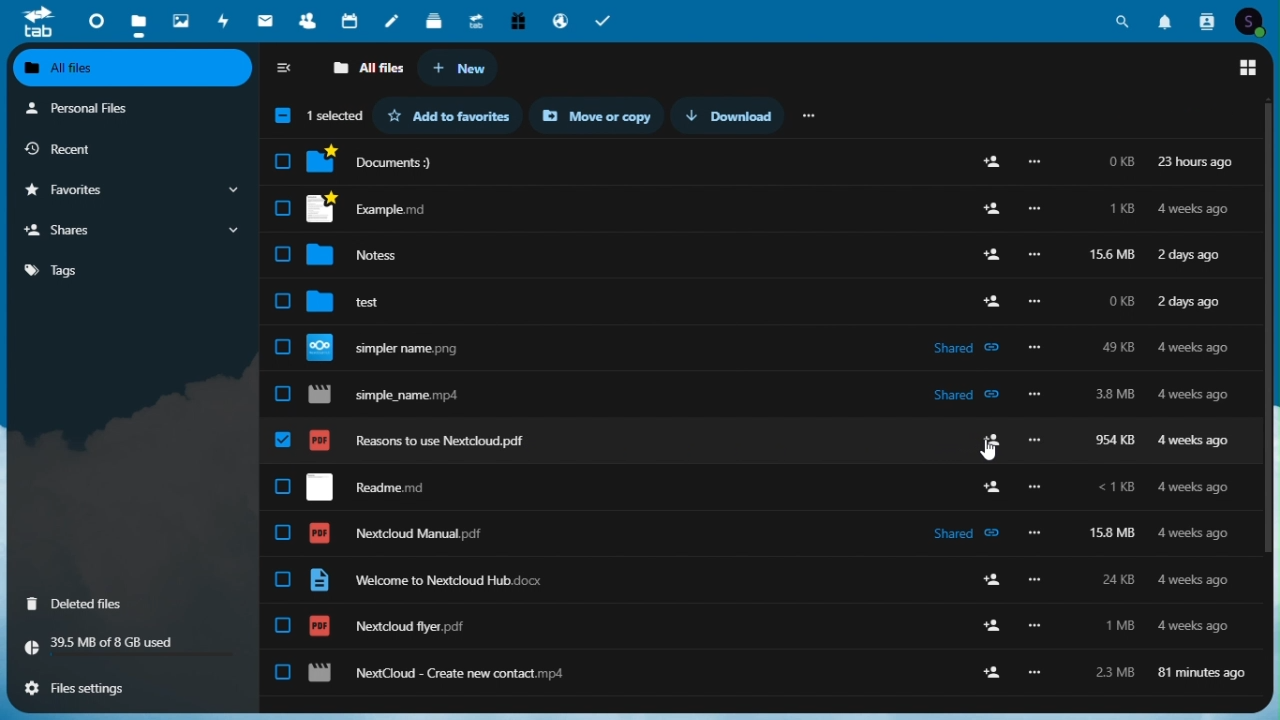 The width and height of the screenshot is (1280, 720). Describe the element at coordinates (392, 395) in the screenshot. I see `simple_name.mp4` at that location.